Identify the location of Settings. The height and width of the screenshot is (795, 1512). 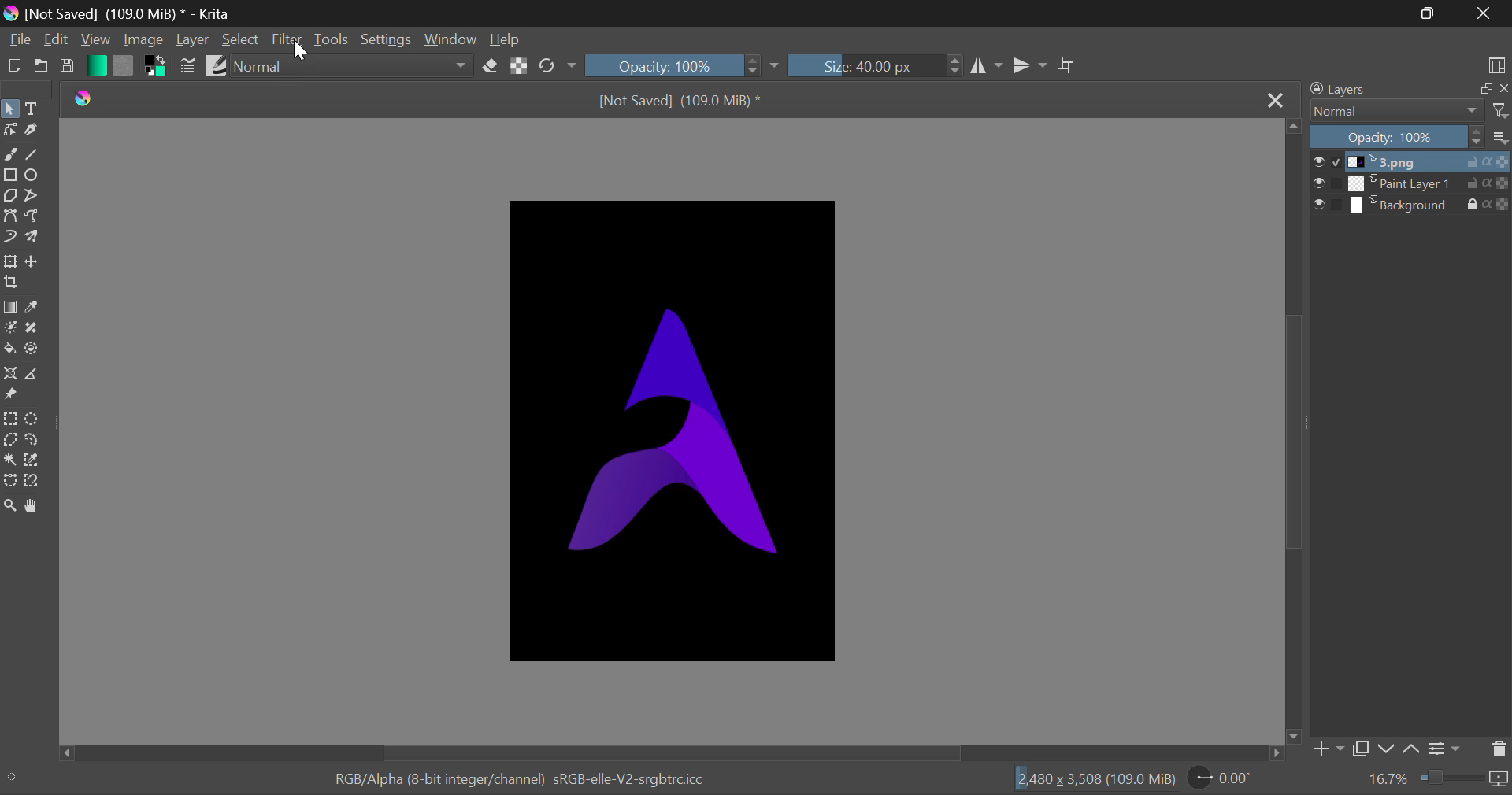
(384, 38).